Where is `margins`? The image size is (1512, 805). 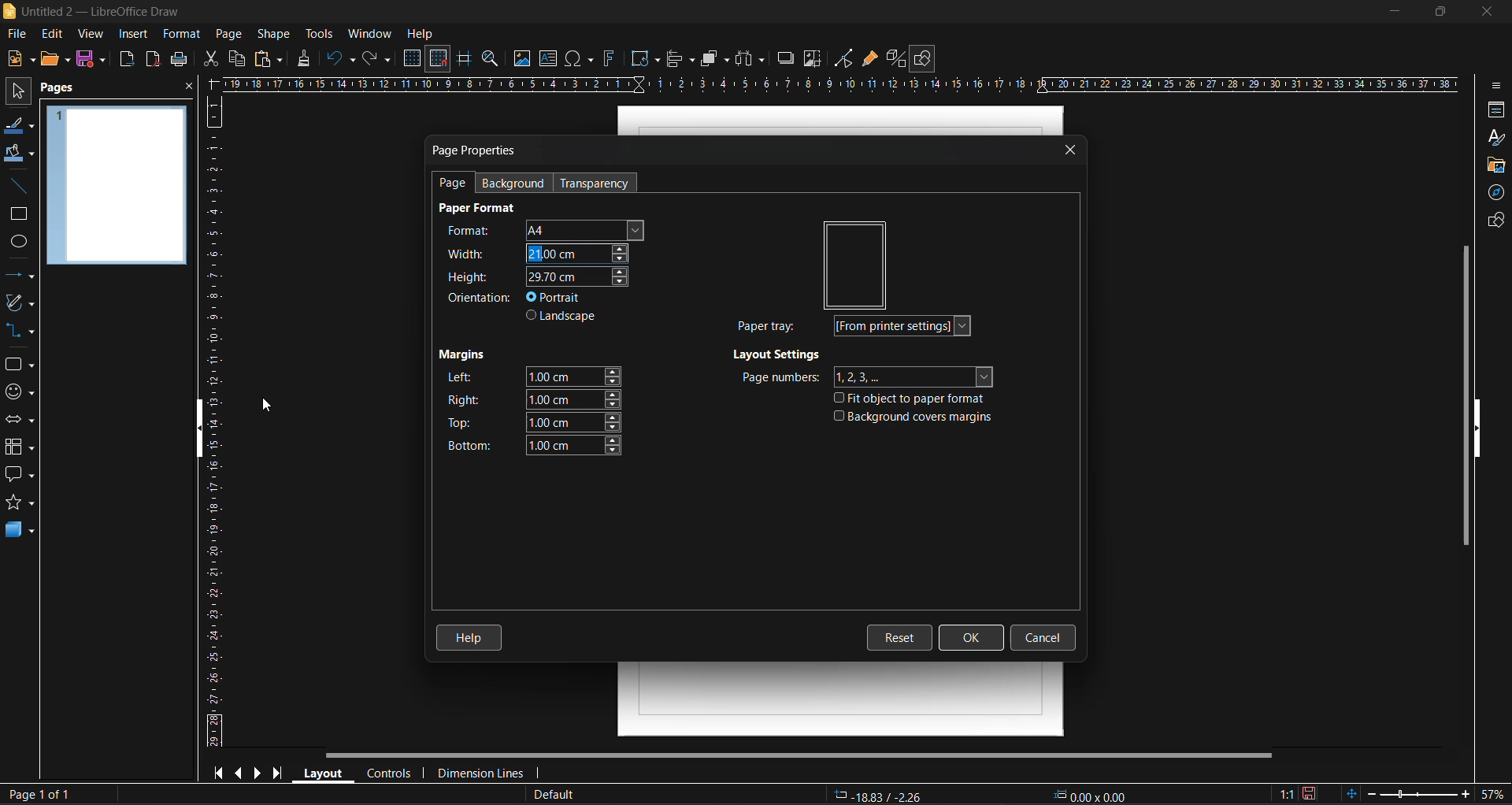 margins is located at coordinates (464, 357).